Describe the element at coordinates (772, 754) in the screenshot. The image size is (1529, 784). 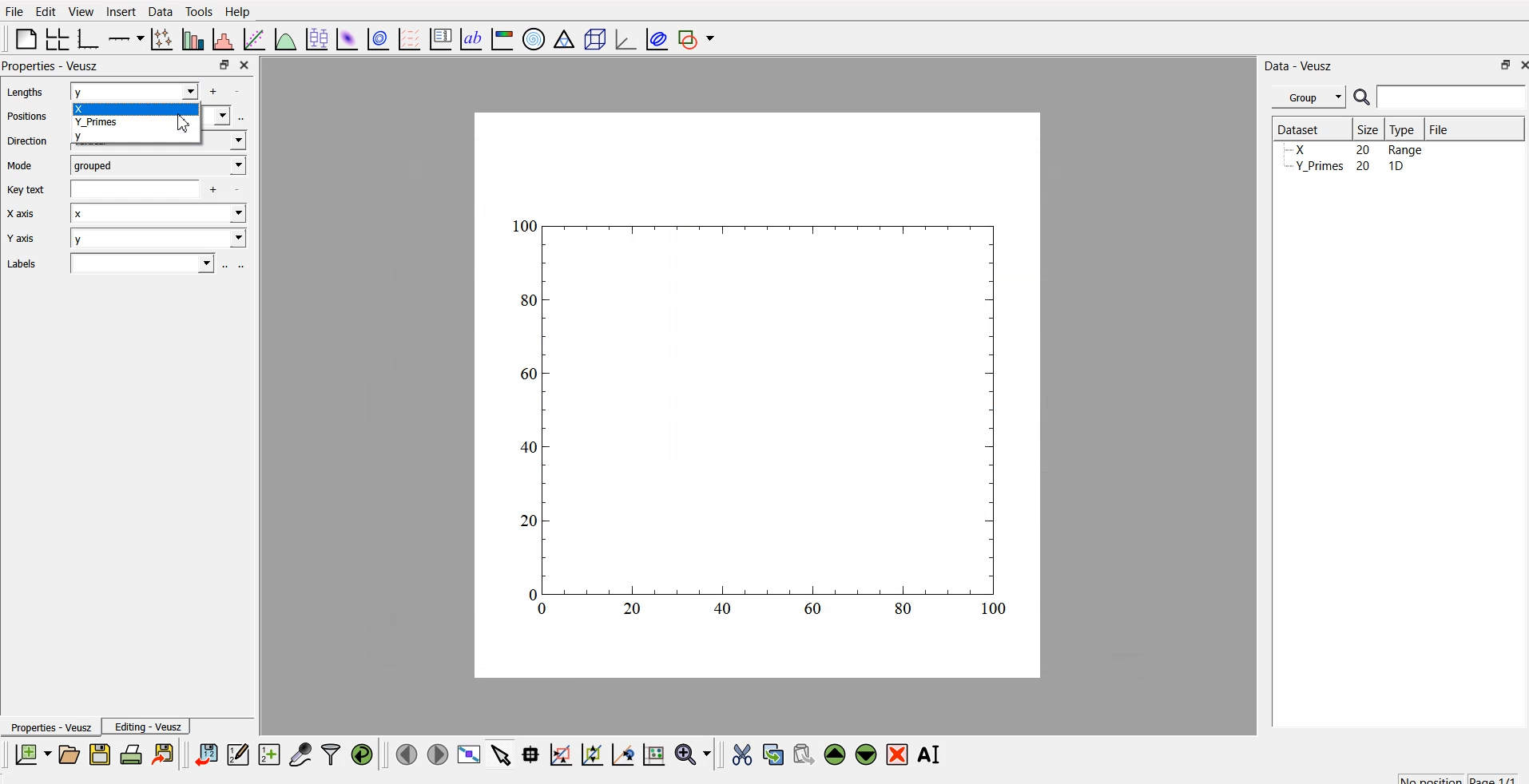
I see `copy the widget` at that location.